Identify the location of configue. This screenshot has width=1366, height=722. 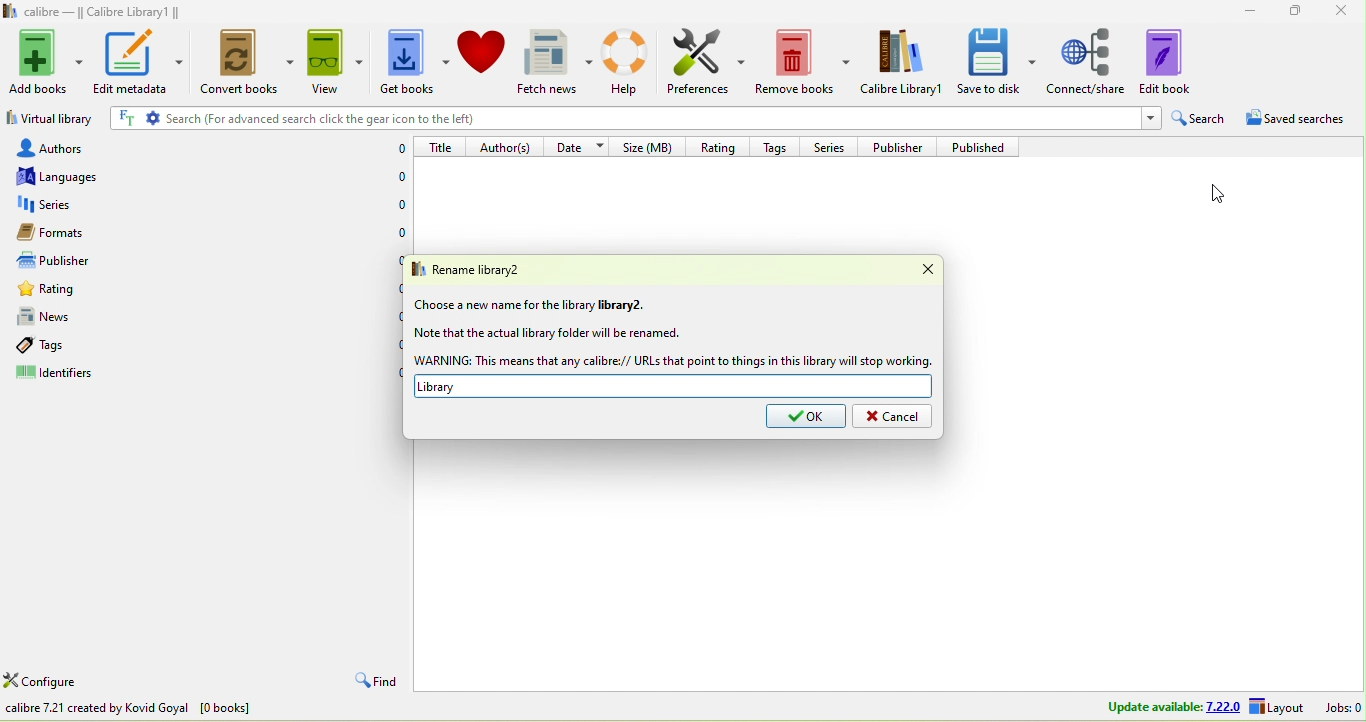
(64, 683).